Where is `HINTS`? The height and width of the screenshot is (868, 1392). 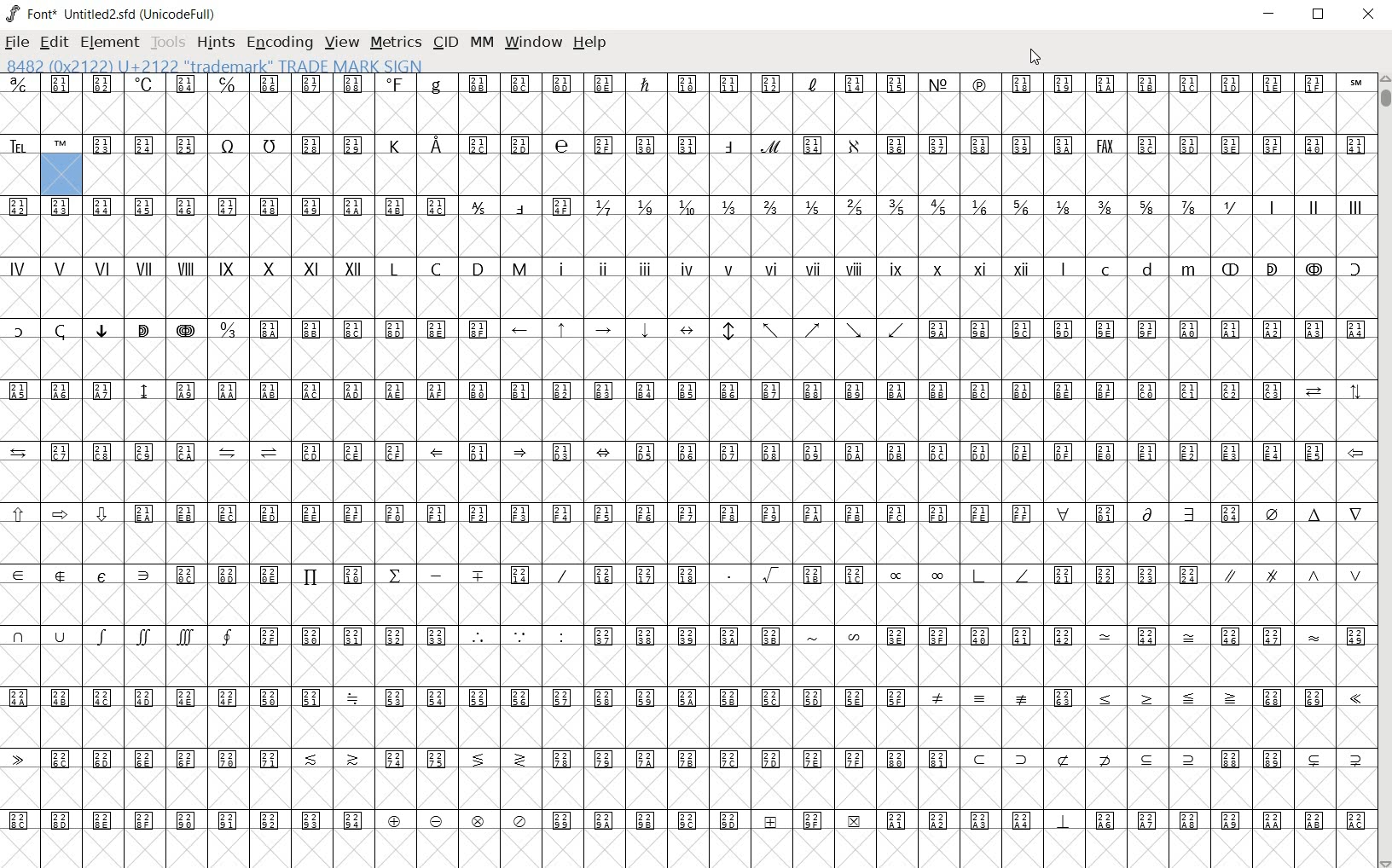
HINTS is located at coordinates (214, 42).